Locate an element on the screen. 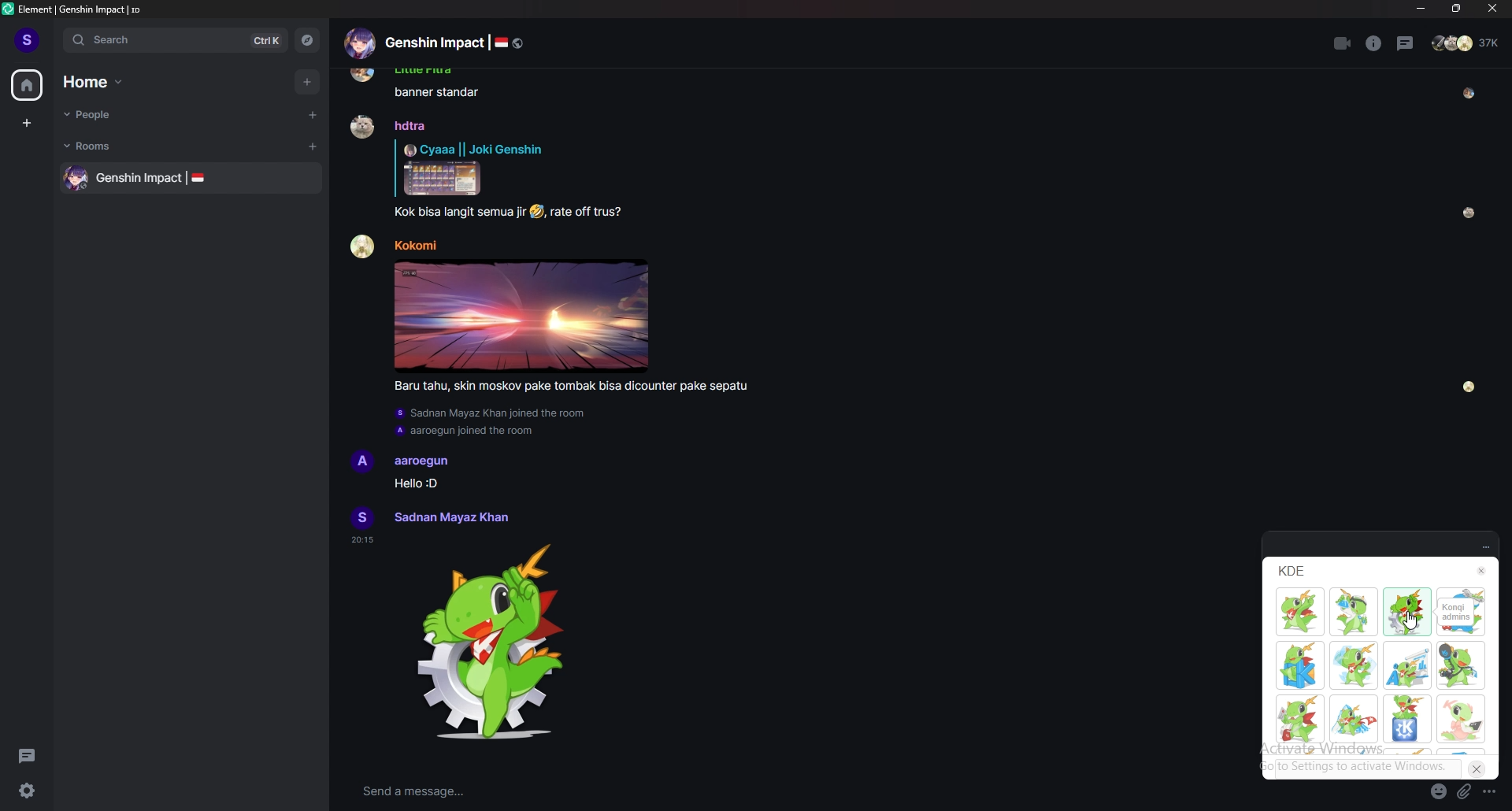  Kongi researches is located at coordinates (1354, 612).